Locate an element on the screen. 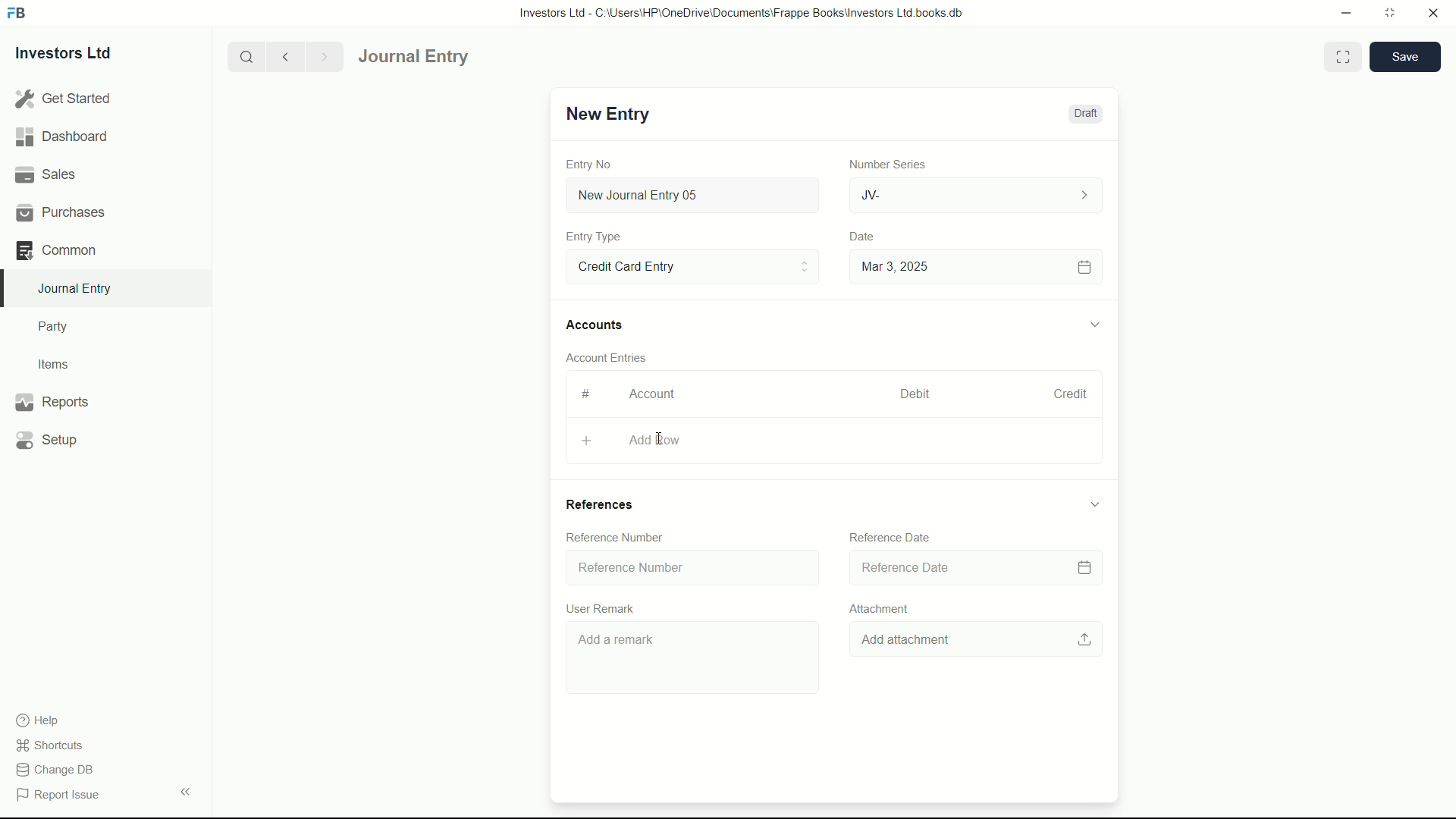 This screenshot has height=819, width=1456. Account Entries is located at coordinates (613, 355).